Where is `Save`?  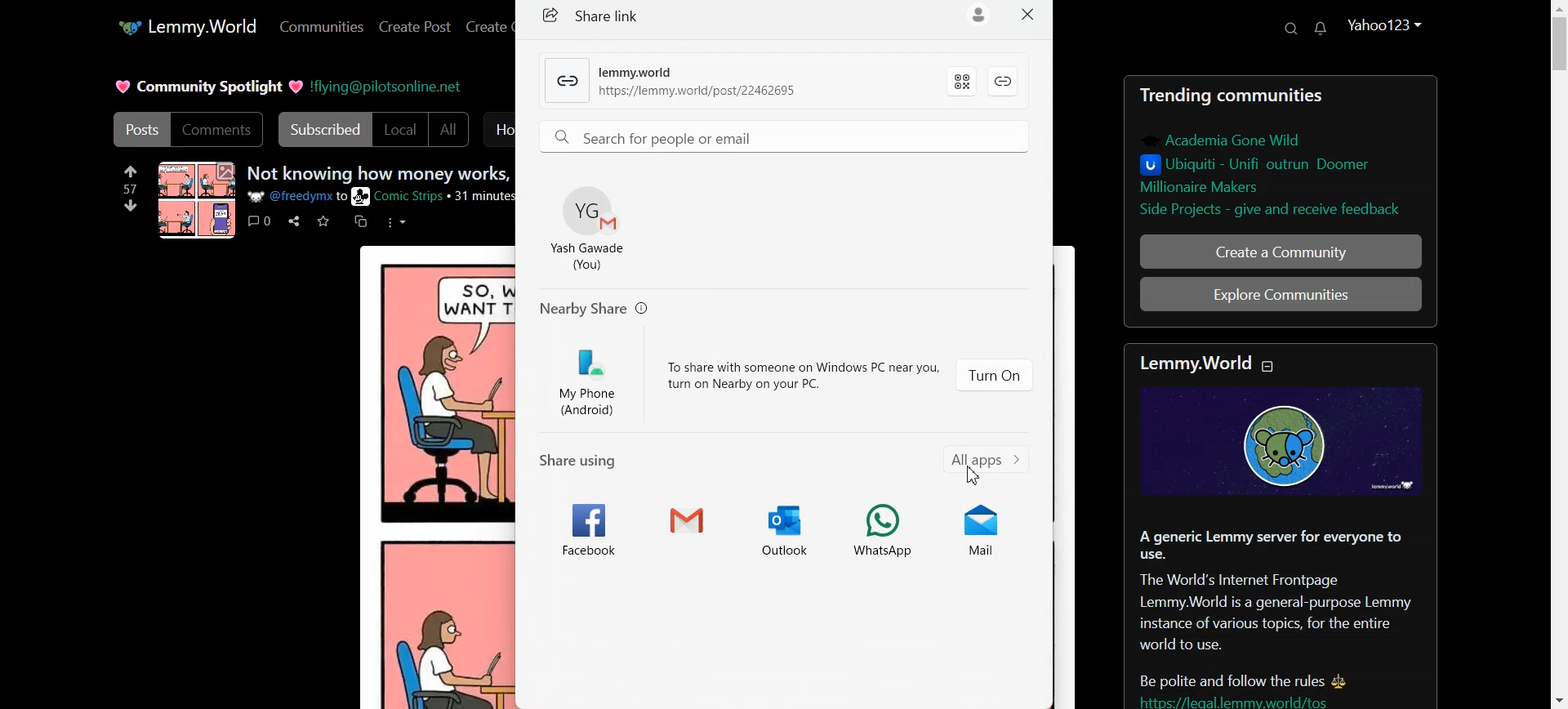 Save is located at coordinates (324, 221).